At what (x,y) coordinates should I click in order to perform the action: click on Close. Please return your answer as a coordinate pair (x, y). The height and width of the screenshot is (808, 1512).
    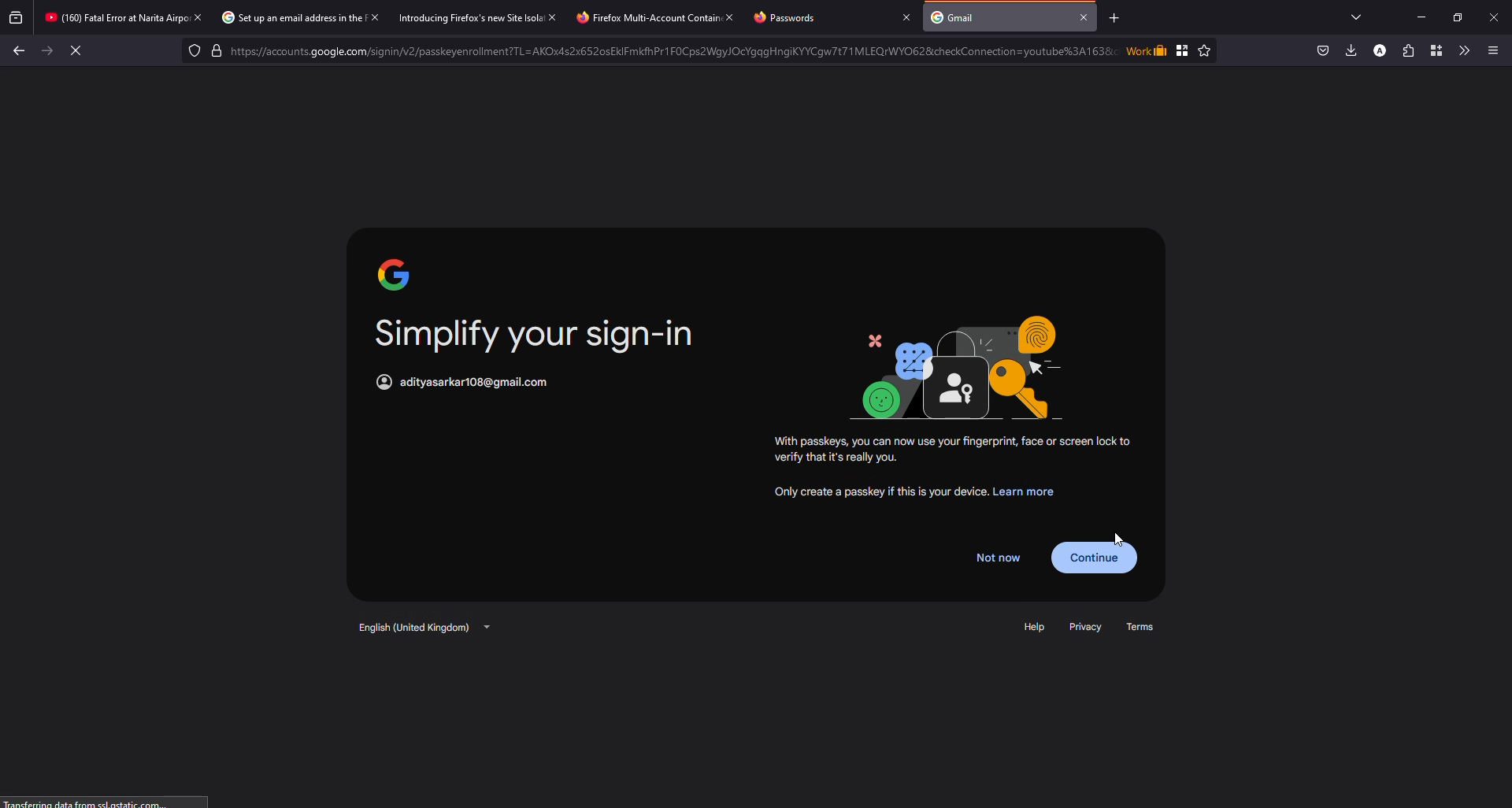
    Looking at the image, I should click on (1493, 17).